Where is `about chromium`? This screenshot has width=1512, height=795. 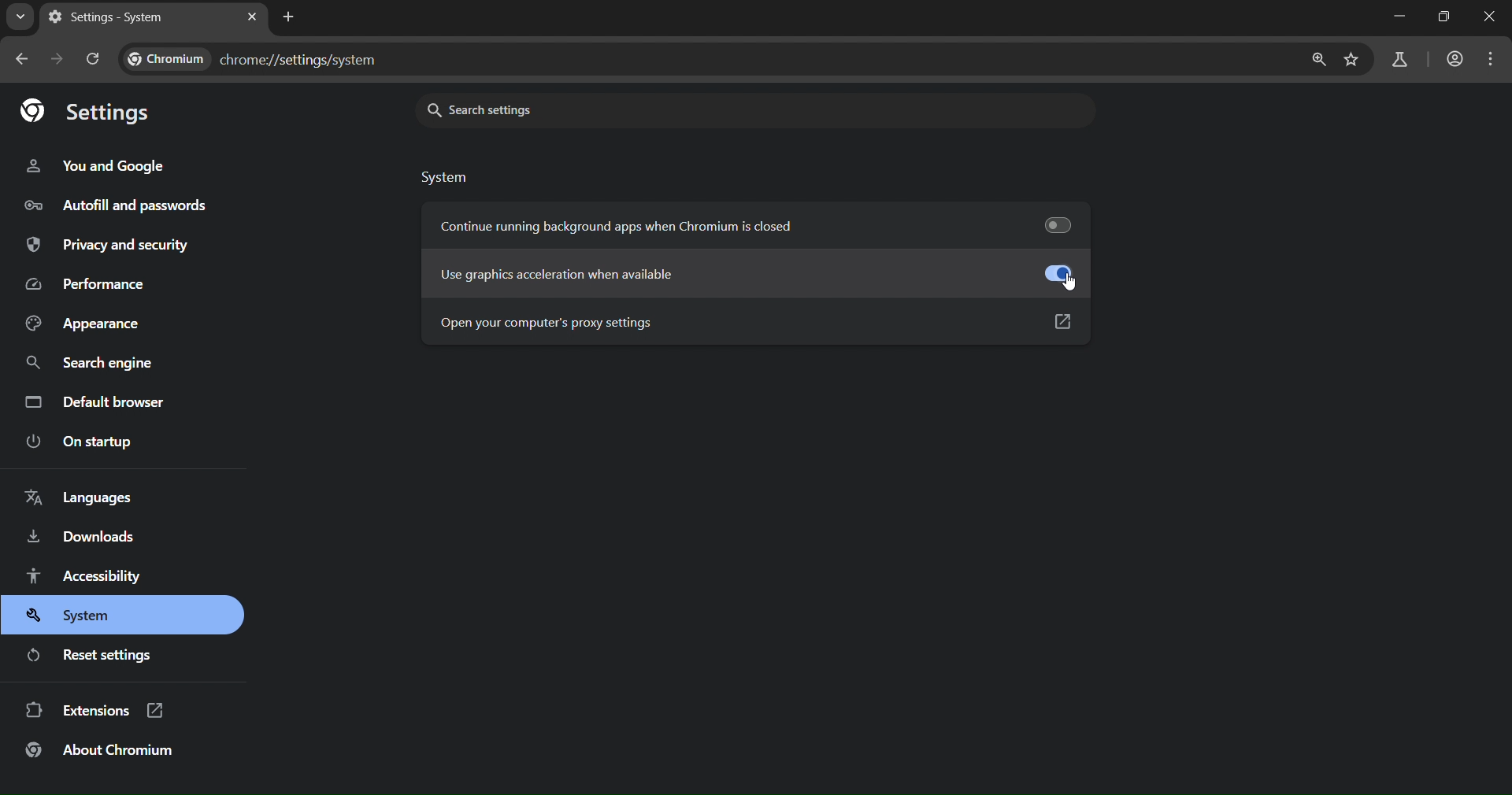 about chromium is located at coordinates (101, 748).